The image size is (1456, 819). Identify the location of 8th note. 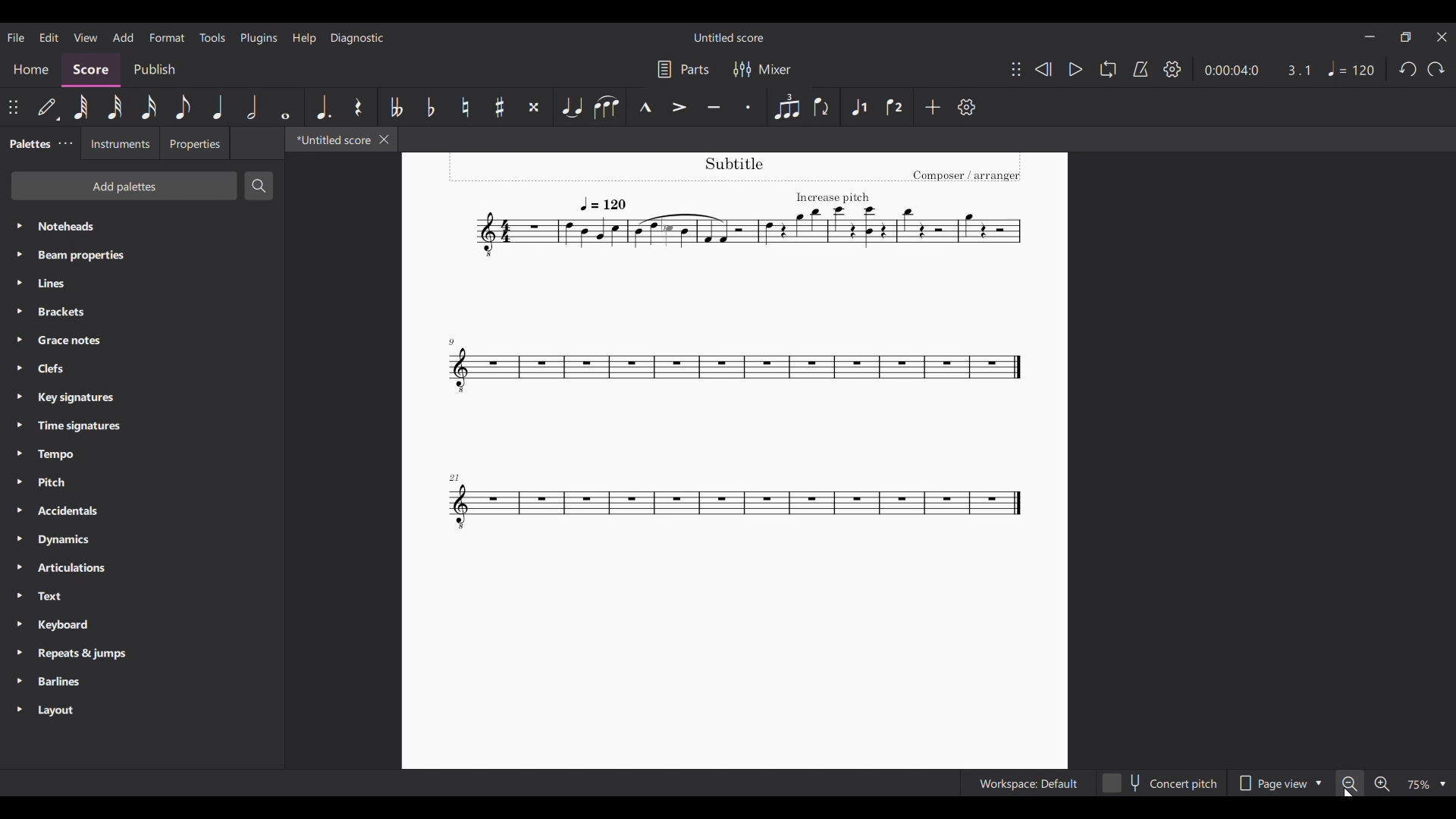
(183, 107).